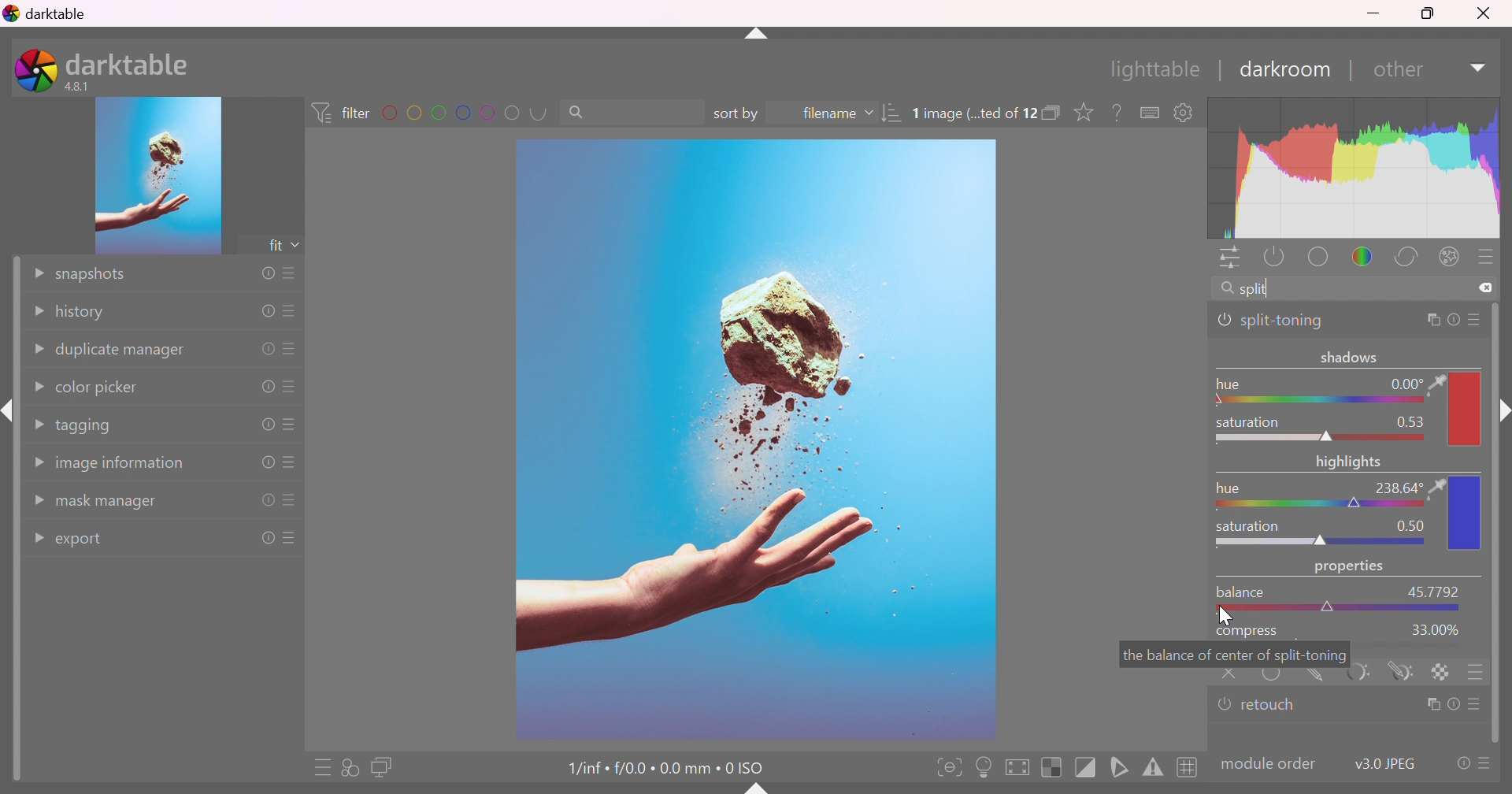 The height and width of the screenshot is (794, 1512). Describe the element at coordinates (1019, 767) in the screenshot. I see `toggle high quality processing, if activated darktable processes image data as it does while exporting` at that location.